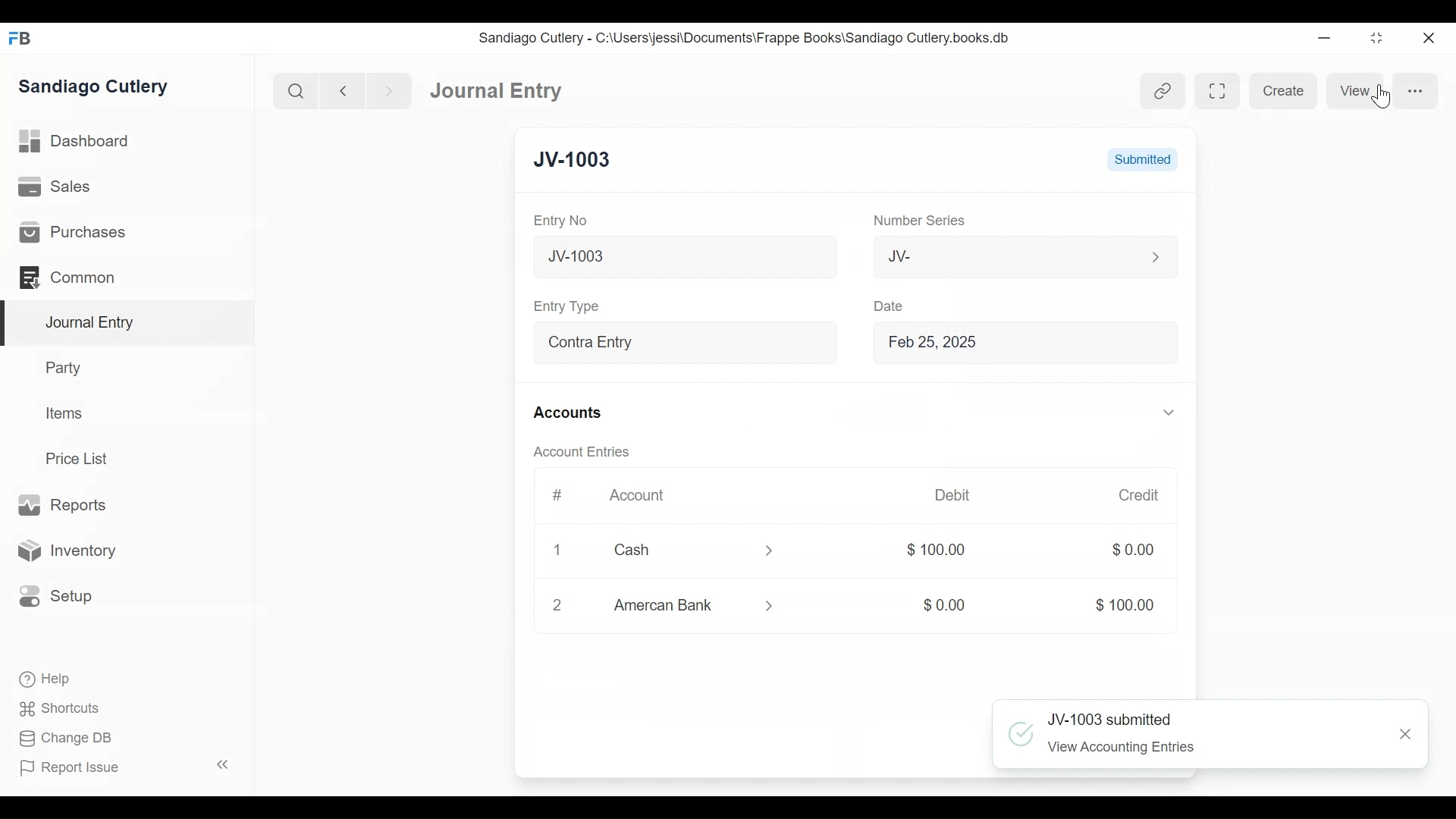 The height and width of the screenshot is (819, 1456). I want to click on Number Series, so click(917, 221).